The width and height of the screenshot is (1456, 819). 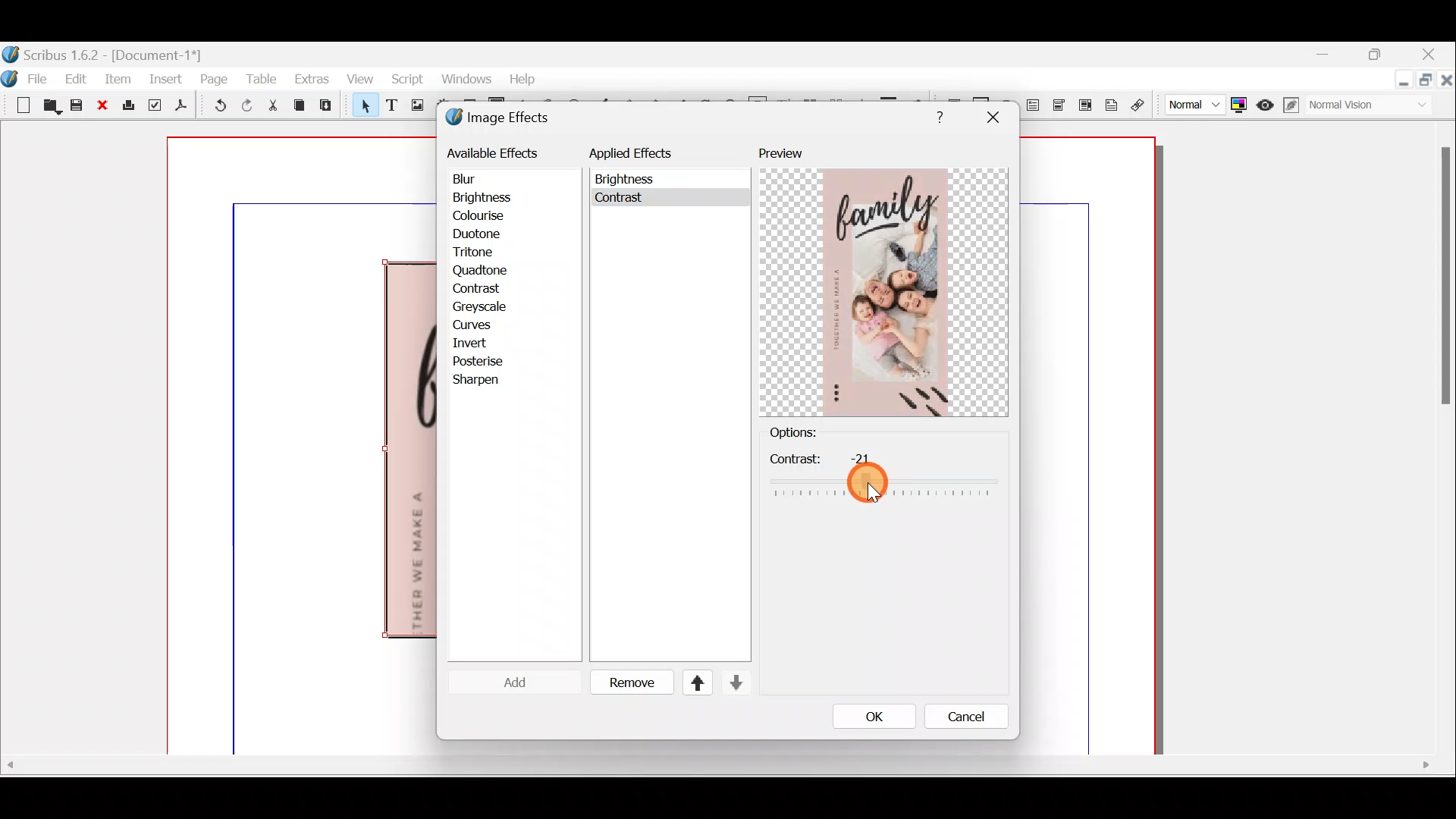 I want to click on Minimise, so click(x=1402, y=81).